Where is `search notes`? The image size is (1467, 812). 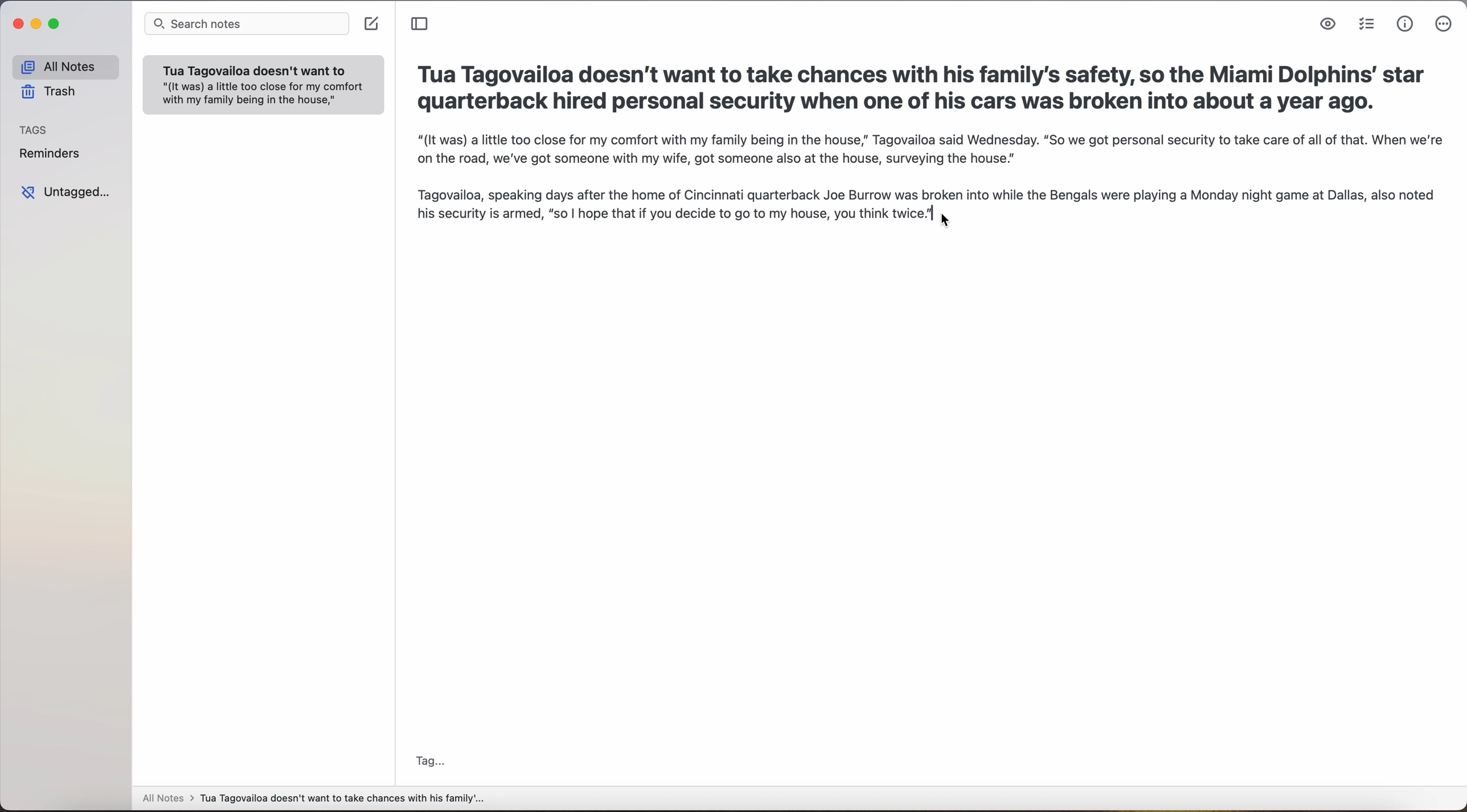 search notes is located at coordinates (247, 24).